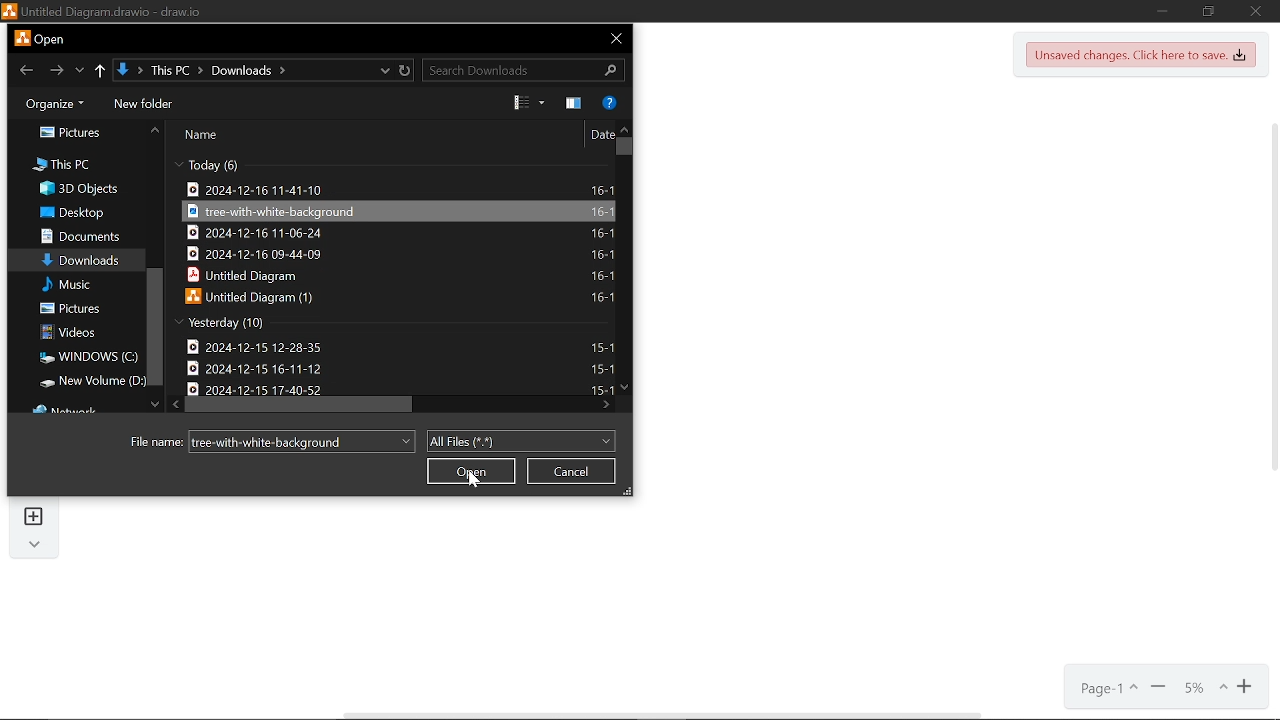 The height and width of the screenshot is (720, 1280). Describe the element at coordinates (391, 386) in the screenshot. I see `file titled "2024-12-15 17-40-52"` at that location.